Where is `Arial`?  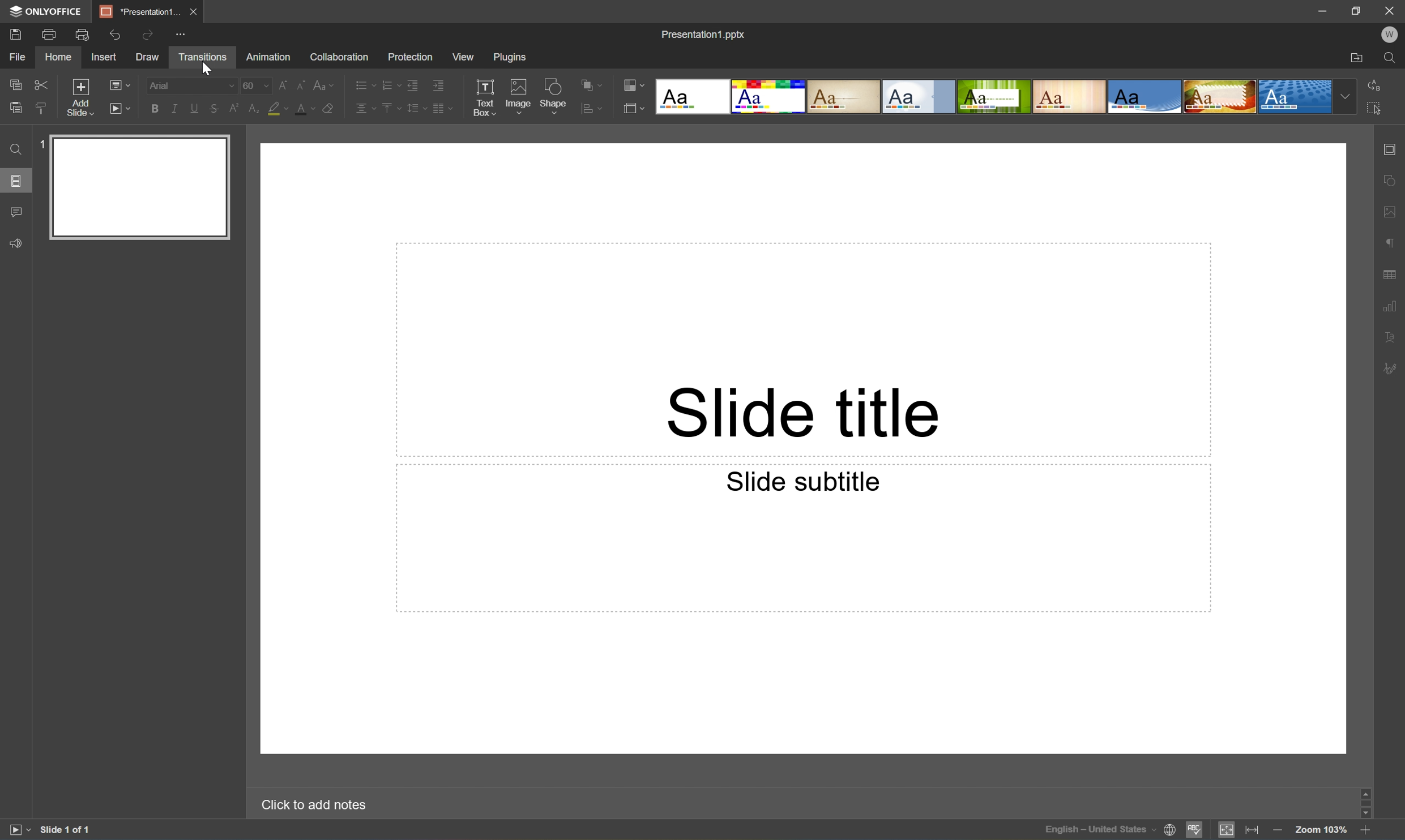 Arial is located at coordinates (191, 85).